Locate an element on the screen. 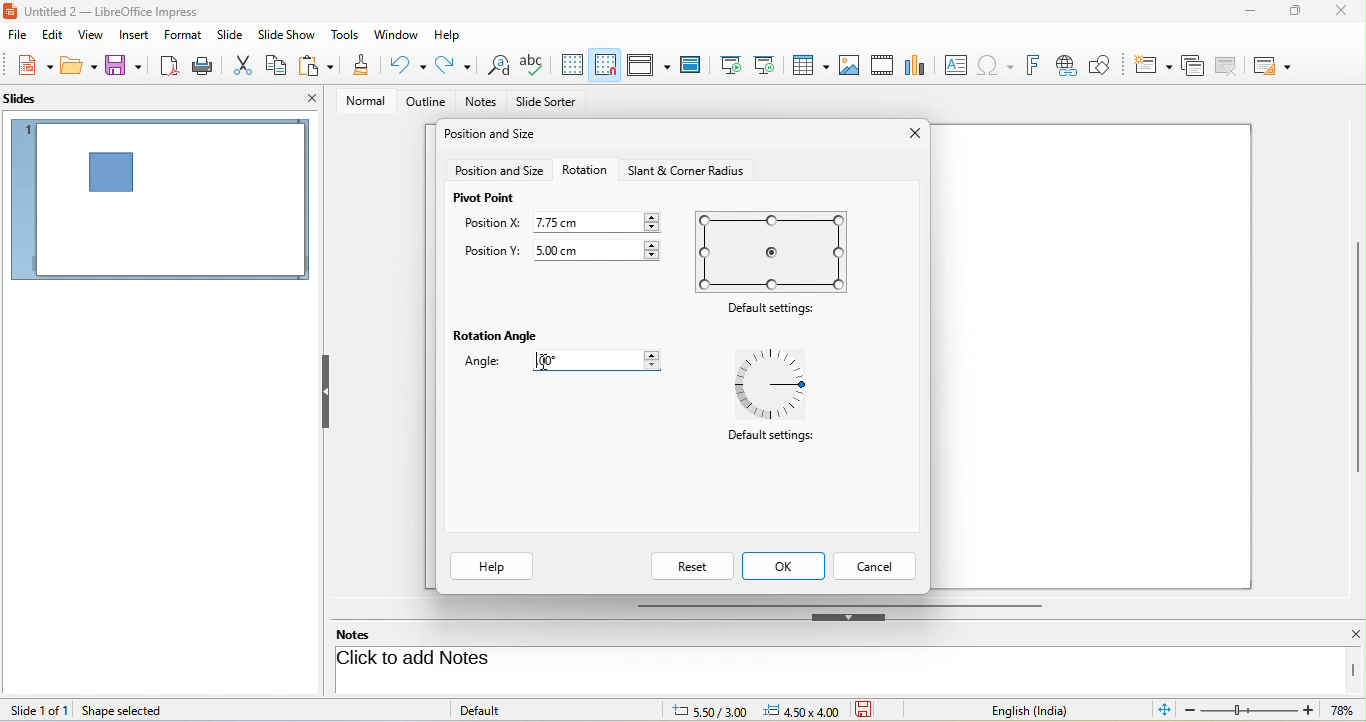  audio or video is located at coordinates (885, 67).